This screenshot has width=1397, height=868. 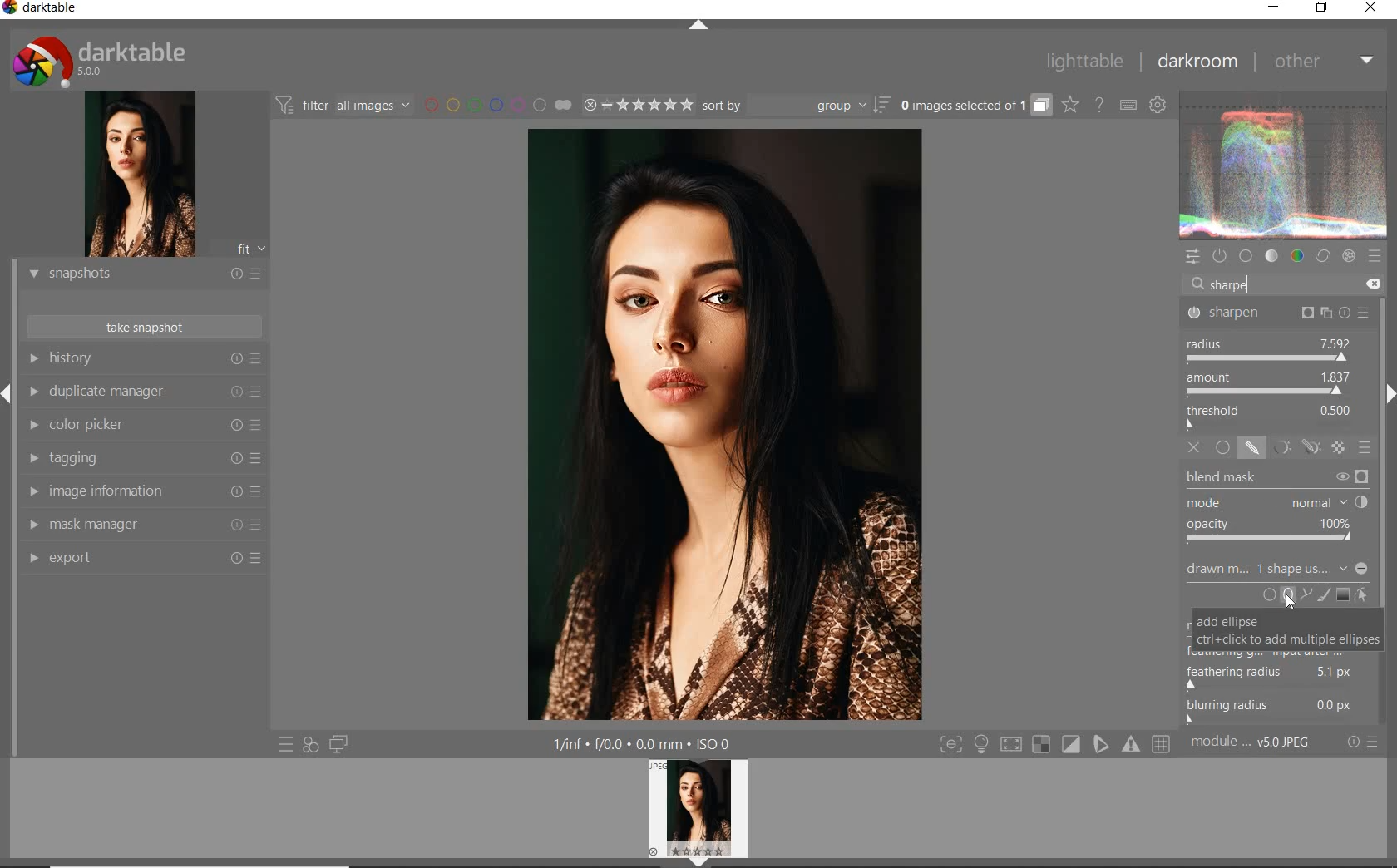 I want to click on profile , so click(x=708, y=810).